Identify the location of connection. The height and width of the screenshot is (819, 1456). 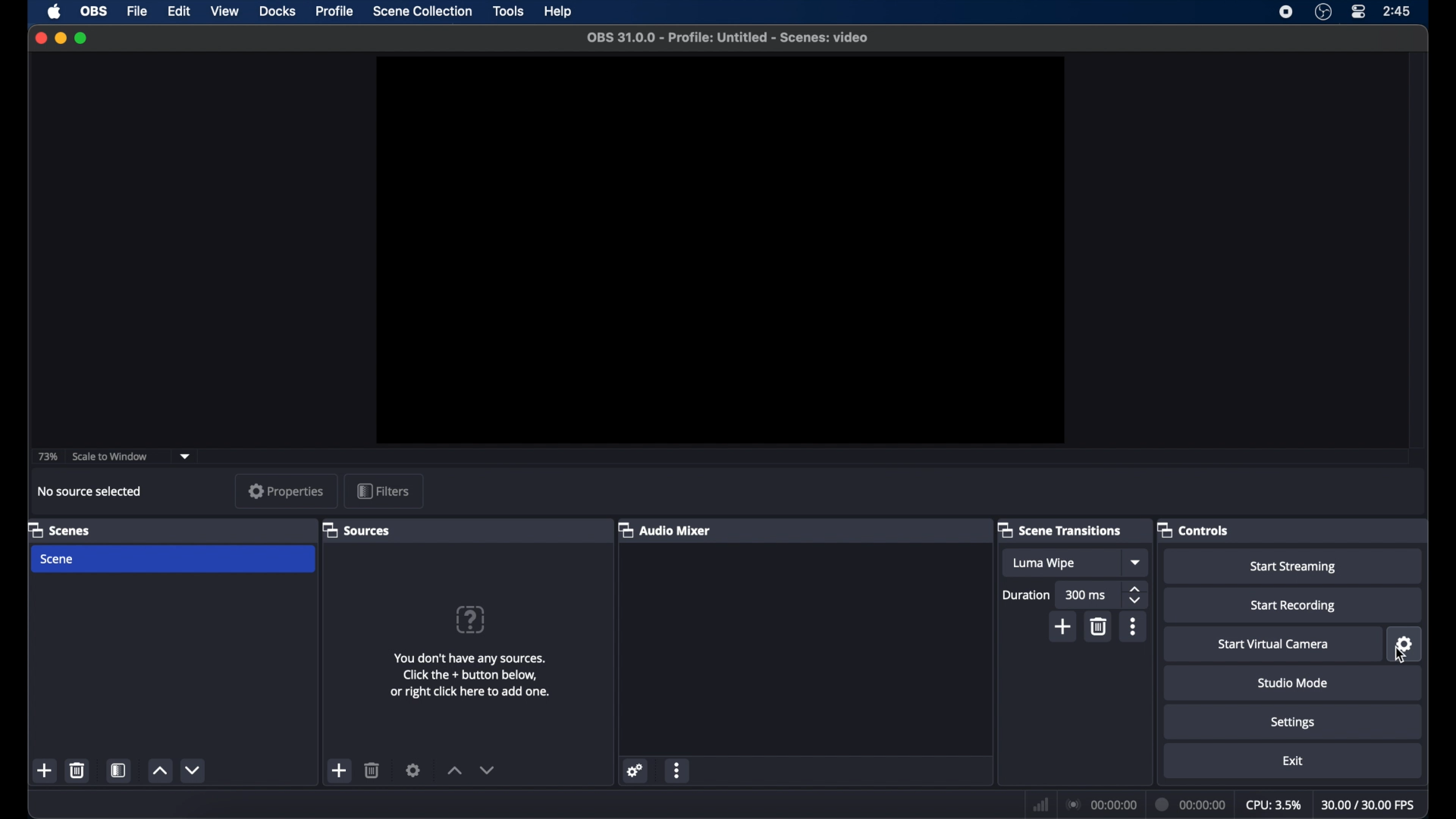
(1100, 804).